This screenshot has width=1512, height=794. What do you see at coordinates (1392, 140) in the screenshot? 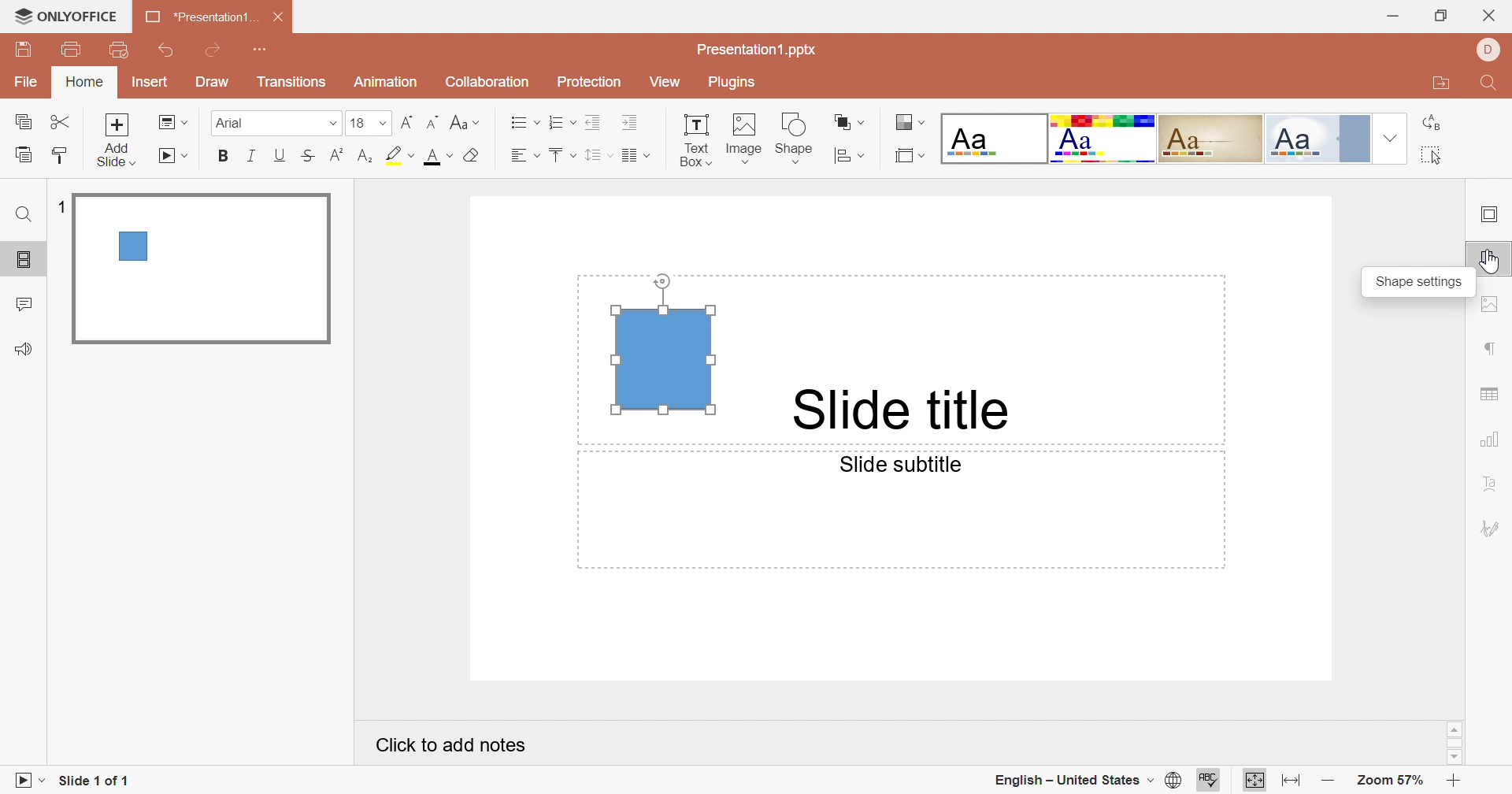
I see `Drop Down` at bounding box center [1392, 140].